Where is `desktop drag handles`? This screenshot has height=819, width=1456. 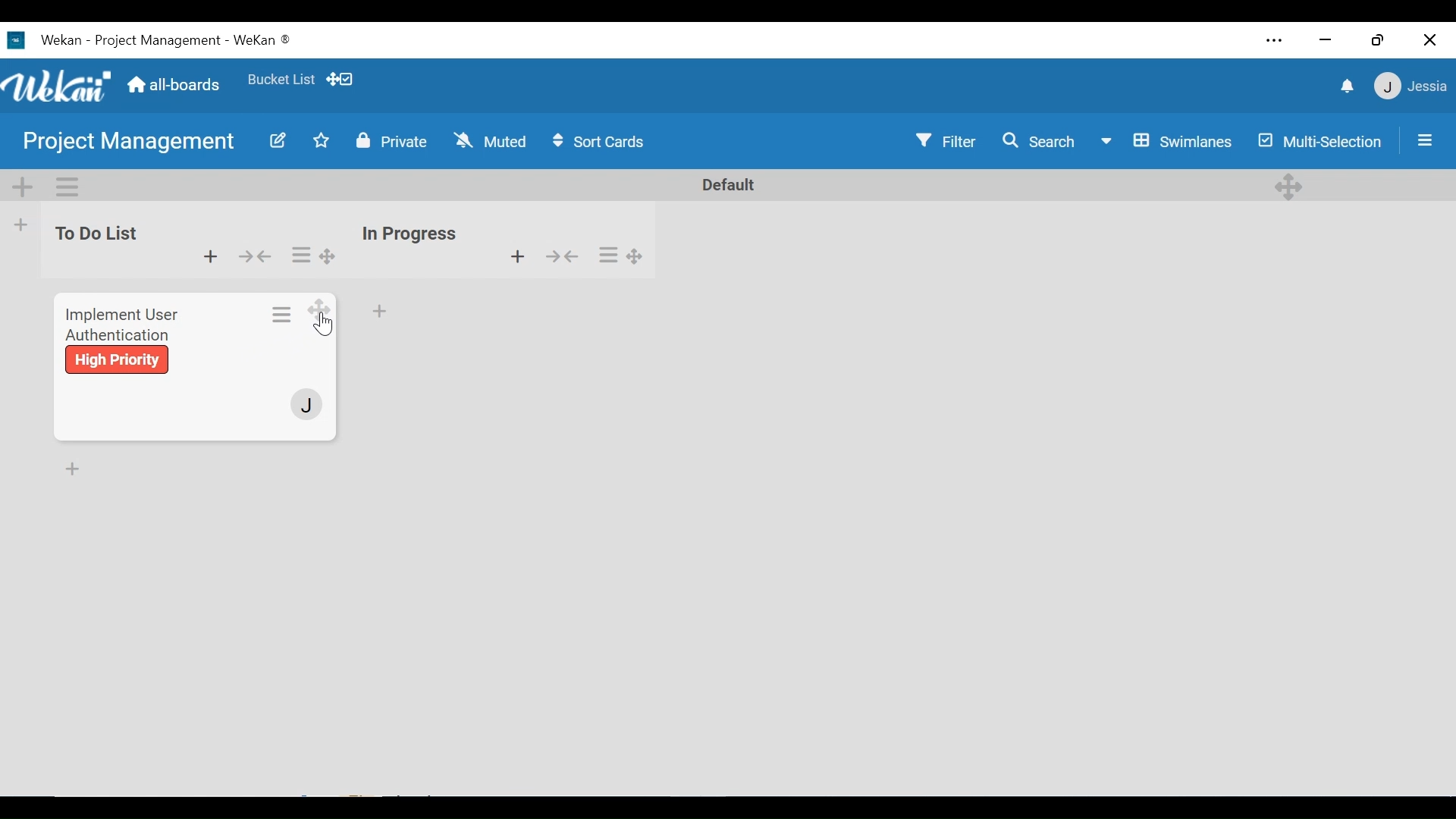
desktop drag handles is located at coordinates (636, 255).